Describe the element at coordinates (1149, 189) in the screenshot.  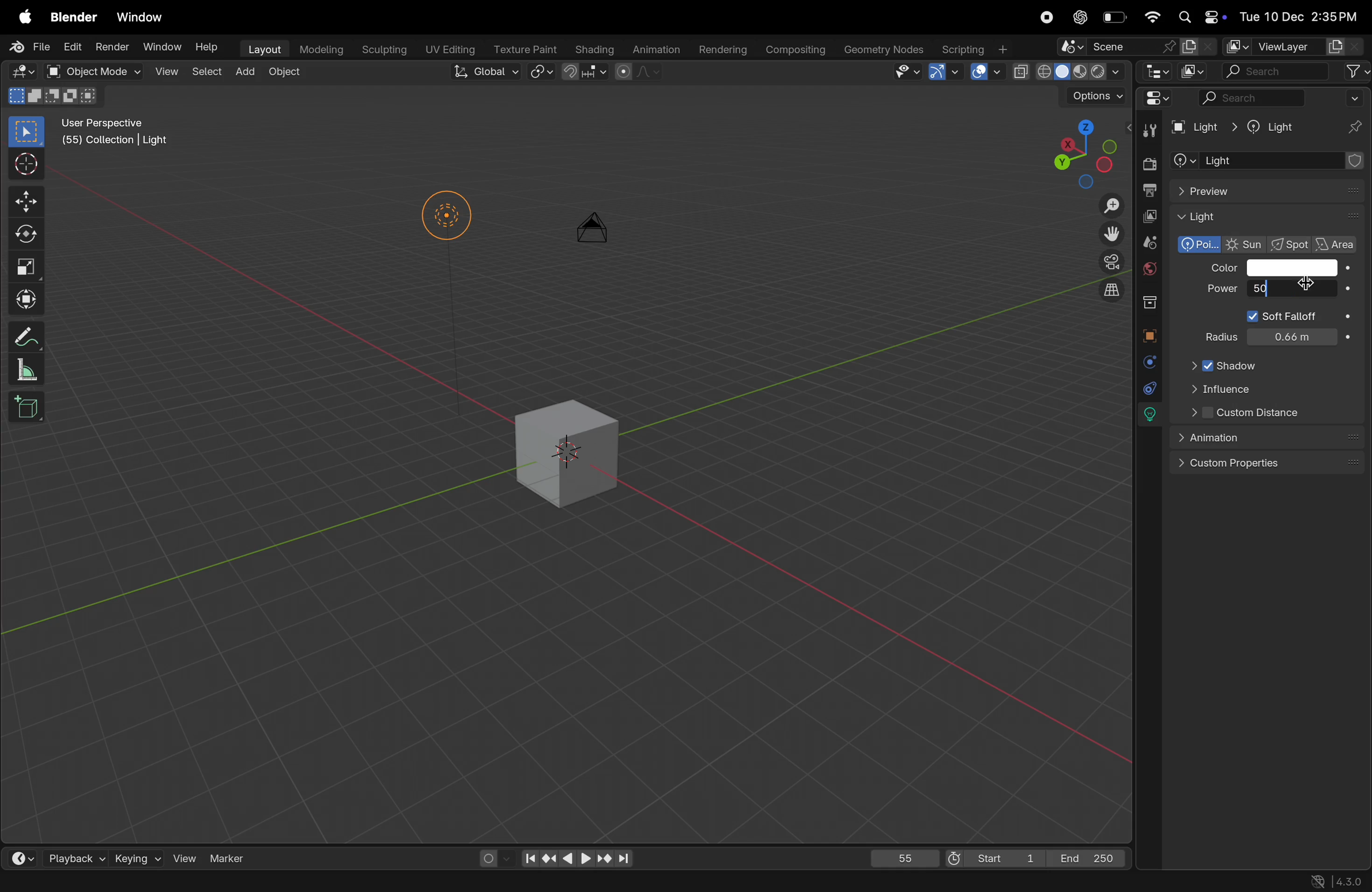
I see `out put` at that location.